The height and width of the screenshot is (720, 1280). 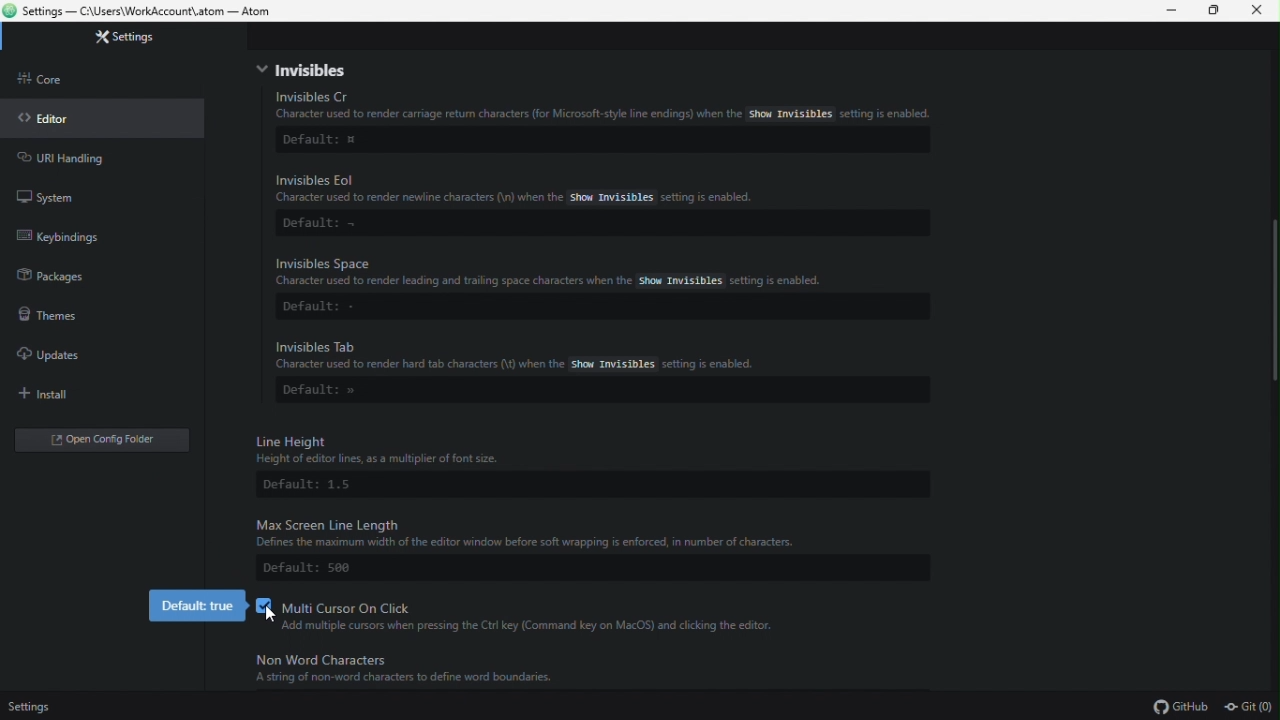 What do you see at coordinates (60, 355) in the screenshot?
I see ` update` at bounding box center [60, 355].